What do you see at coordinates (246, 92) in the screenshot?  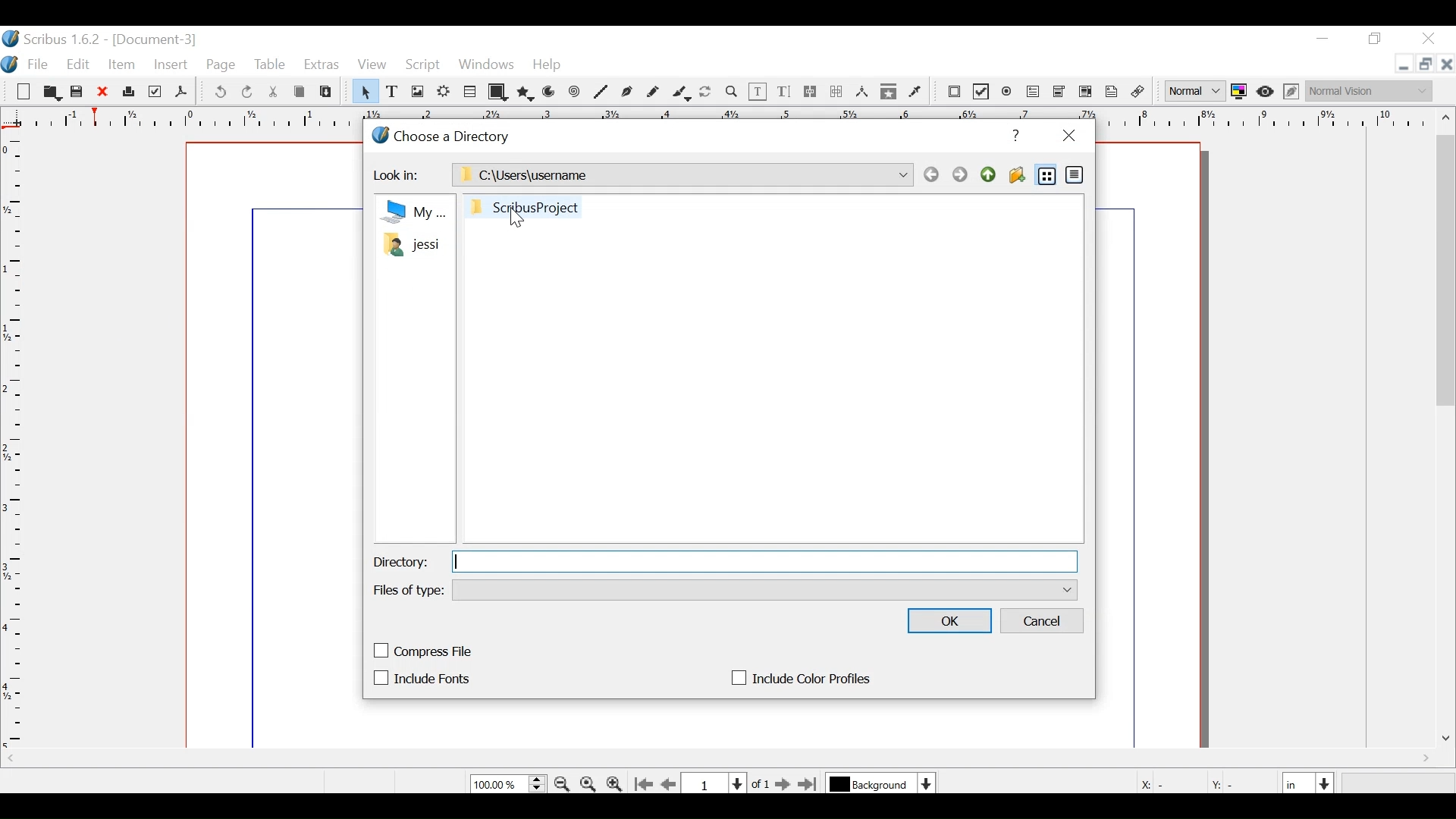 I see `Redo` at bounding box center [246, 92].